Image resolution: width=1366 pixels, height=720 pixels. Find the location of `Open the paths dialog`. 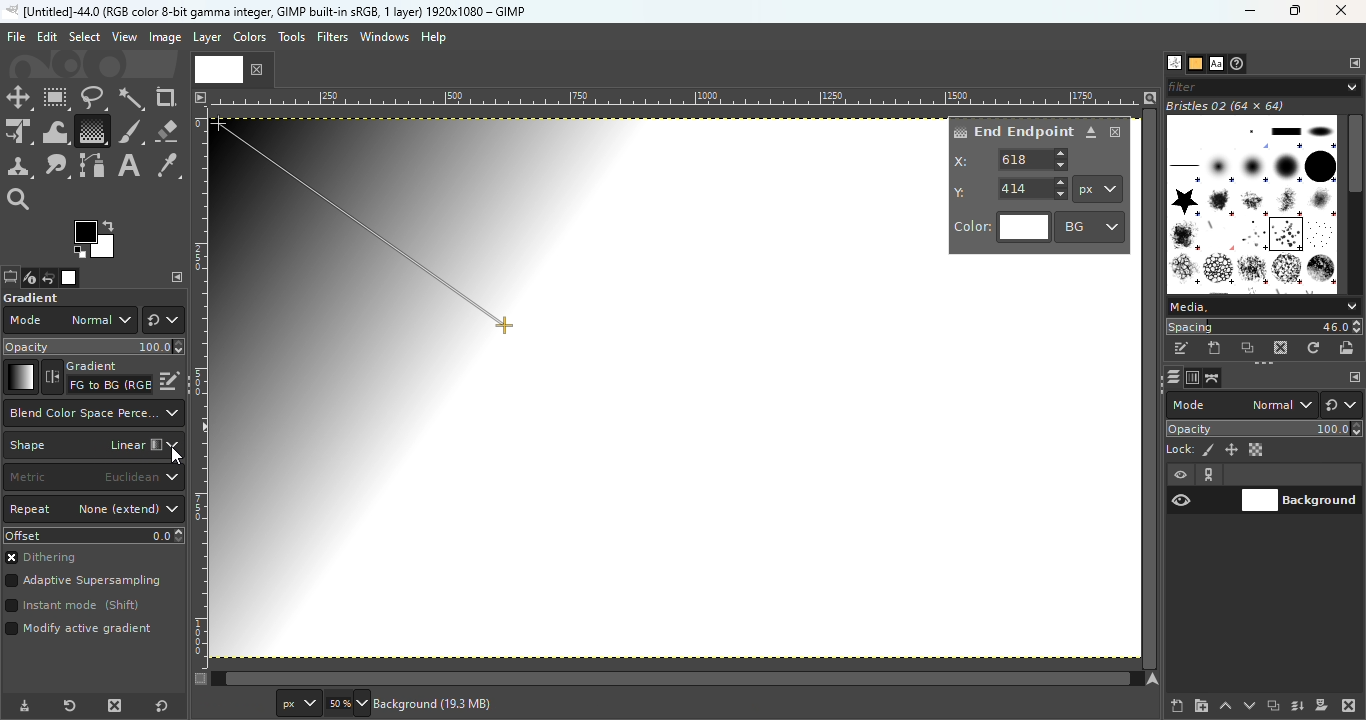

Open the paths dialog is located at coordinates (1213, 378).